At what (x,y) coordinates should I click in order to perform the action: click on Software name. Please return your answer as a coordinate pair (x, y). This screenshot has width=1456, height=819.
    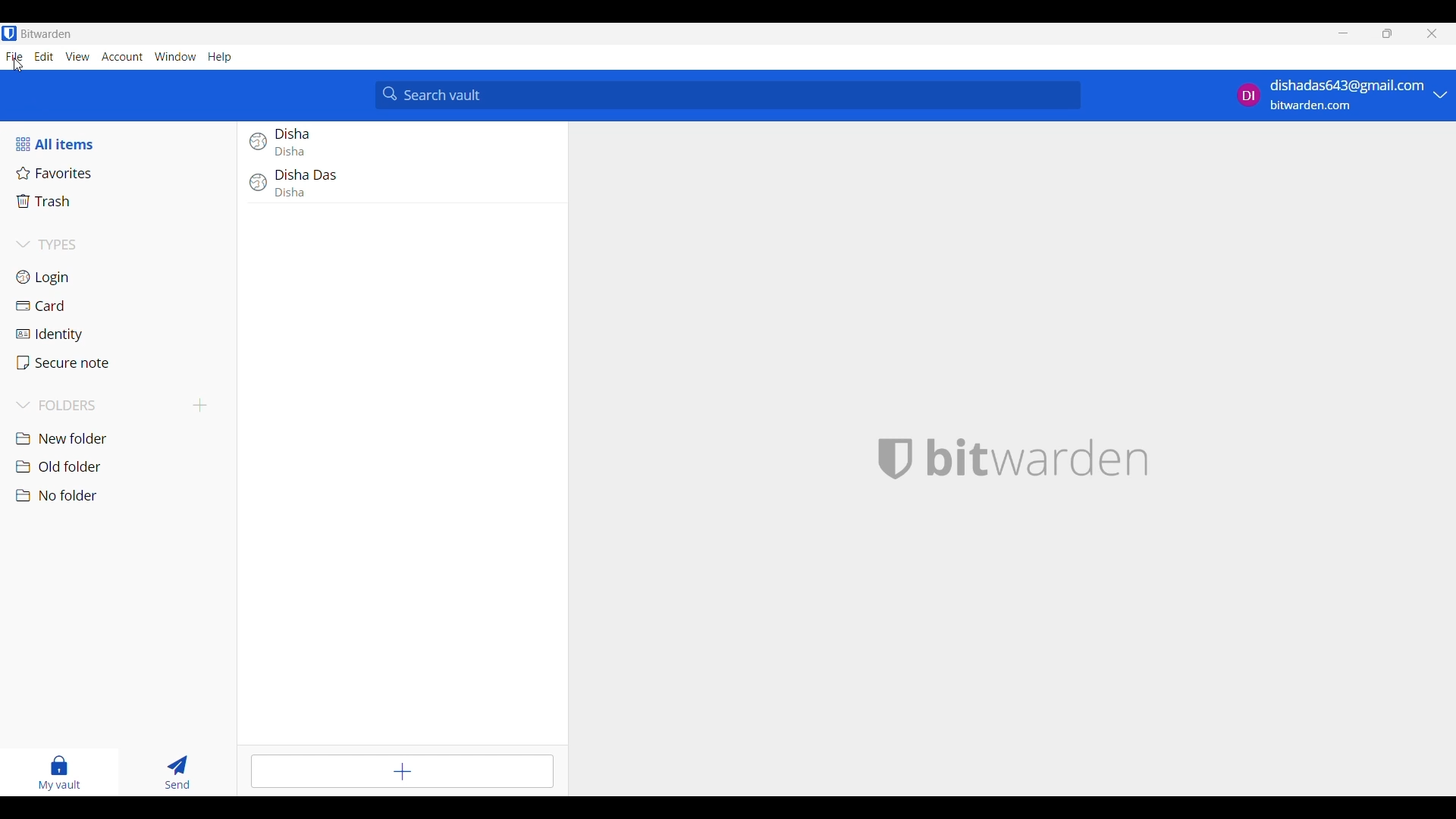
    Looking at the image, I should click on (46, 34).